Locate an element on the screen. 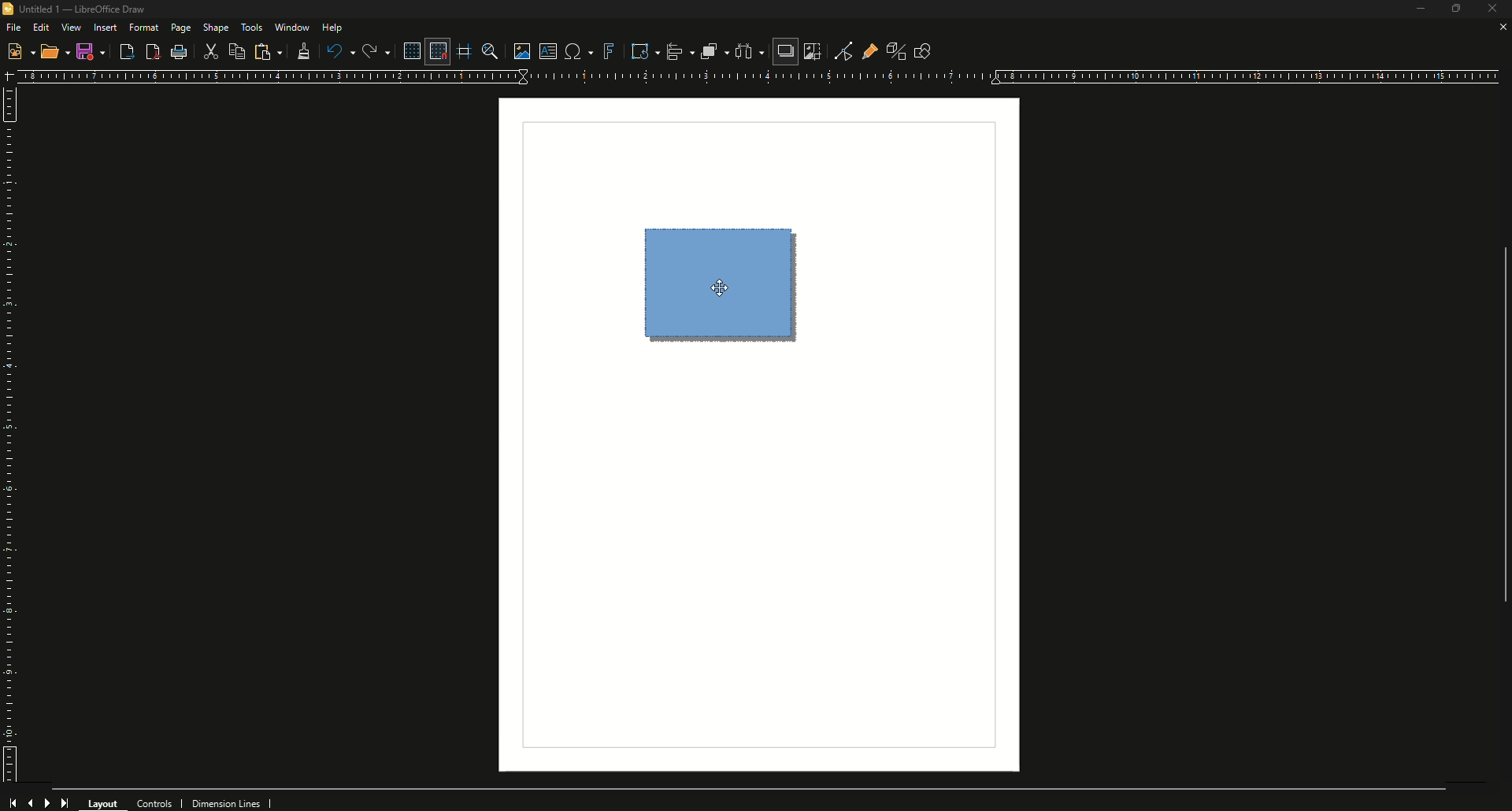 The image size is (1512, 811). Redo is located at coordinates (375, 51).